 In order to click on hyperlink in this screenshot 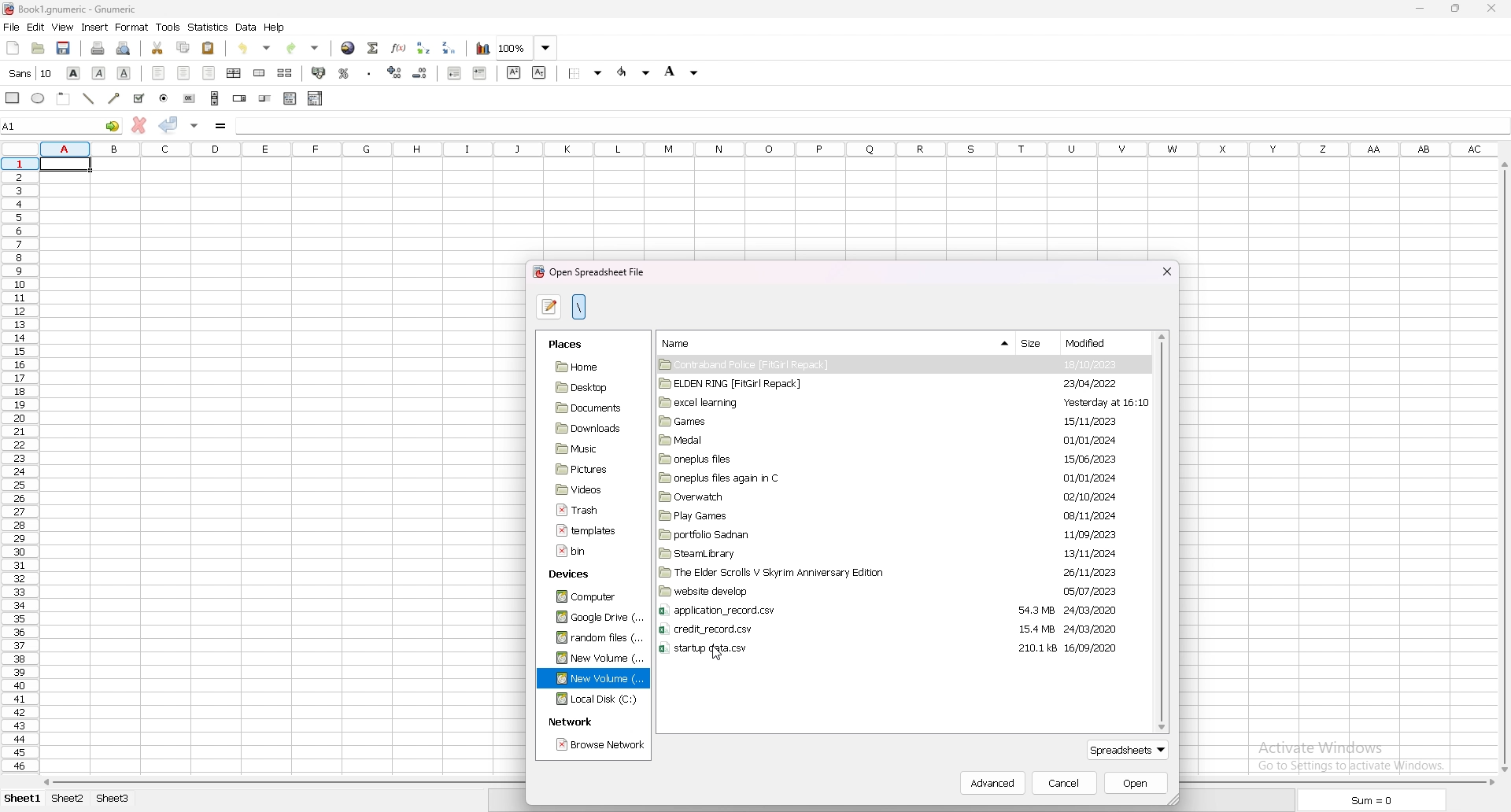, I will do `click(347, 48)`.